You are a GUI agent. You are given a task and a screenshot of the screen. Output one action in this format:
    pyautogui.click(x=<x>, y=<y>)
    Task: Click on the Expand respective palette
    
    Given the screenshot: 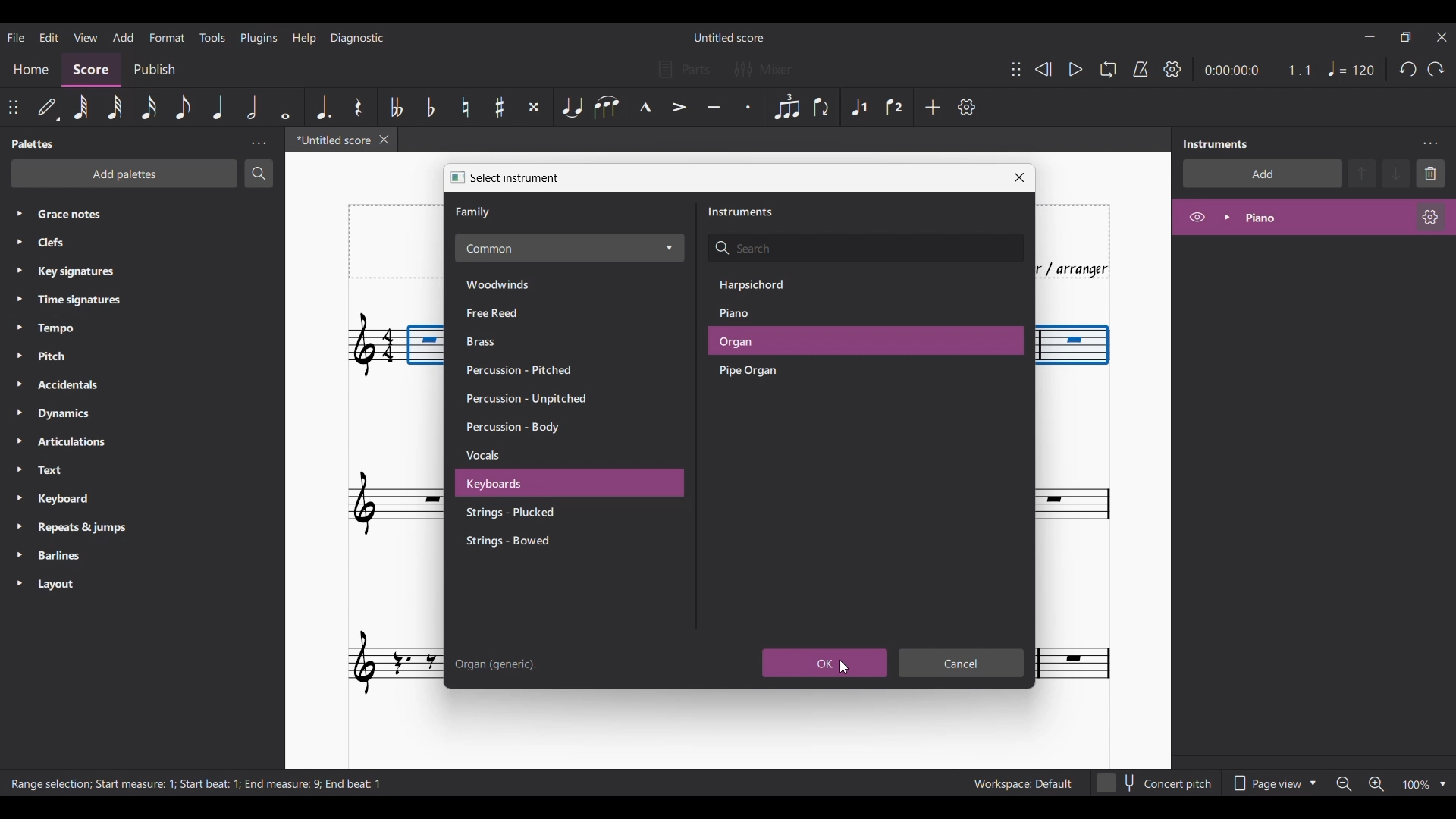 What is the action you would take?
    pyautogui.click(x=14, y=398)
    